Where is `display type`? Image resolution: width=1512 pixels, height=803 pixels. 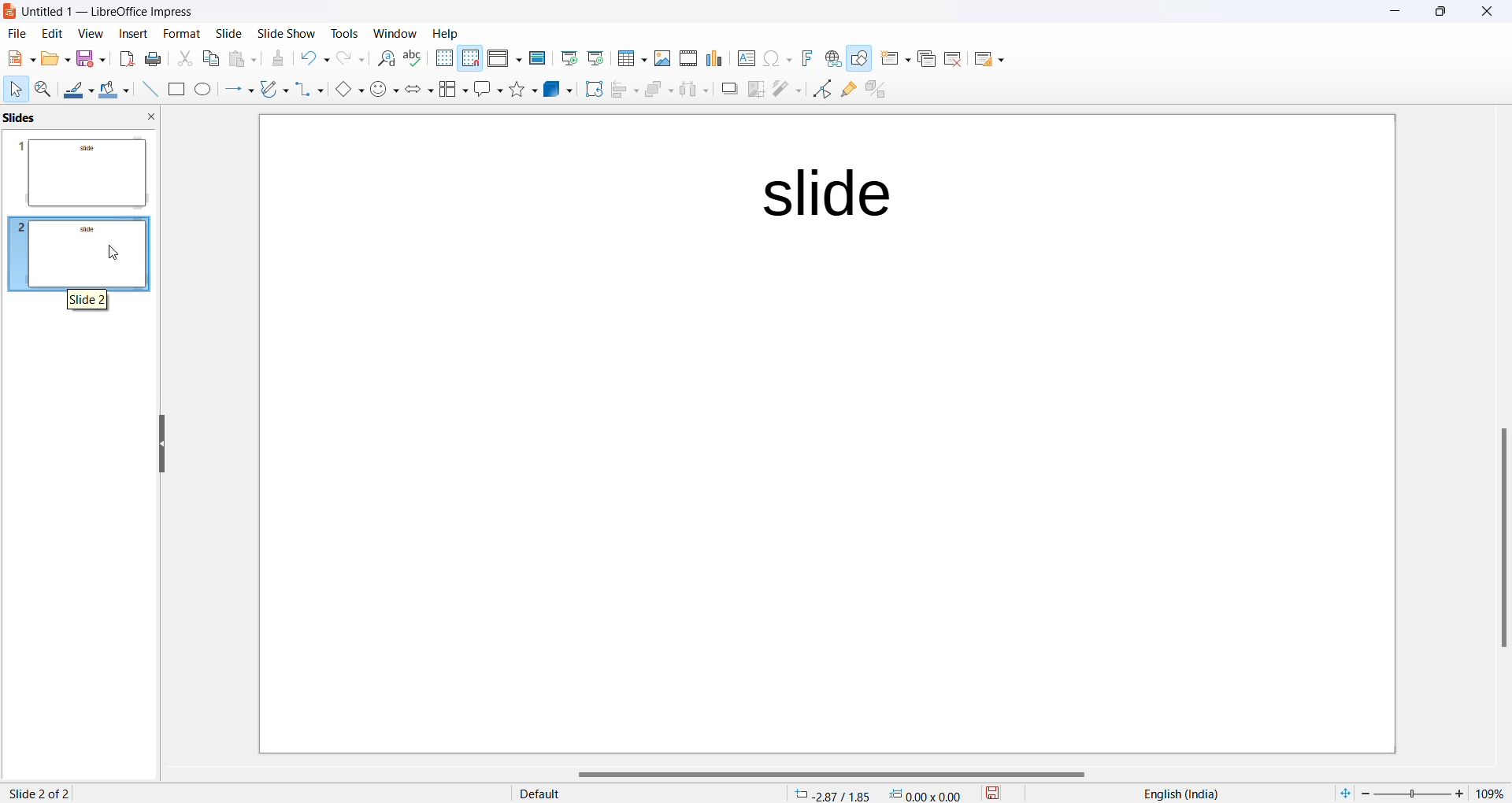
display type is located at coordinates (626, 794).